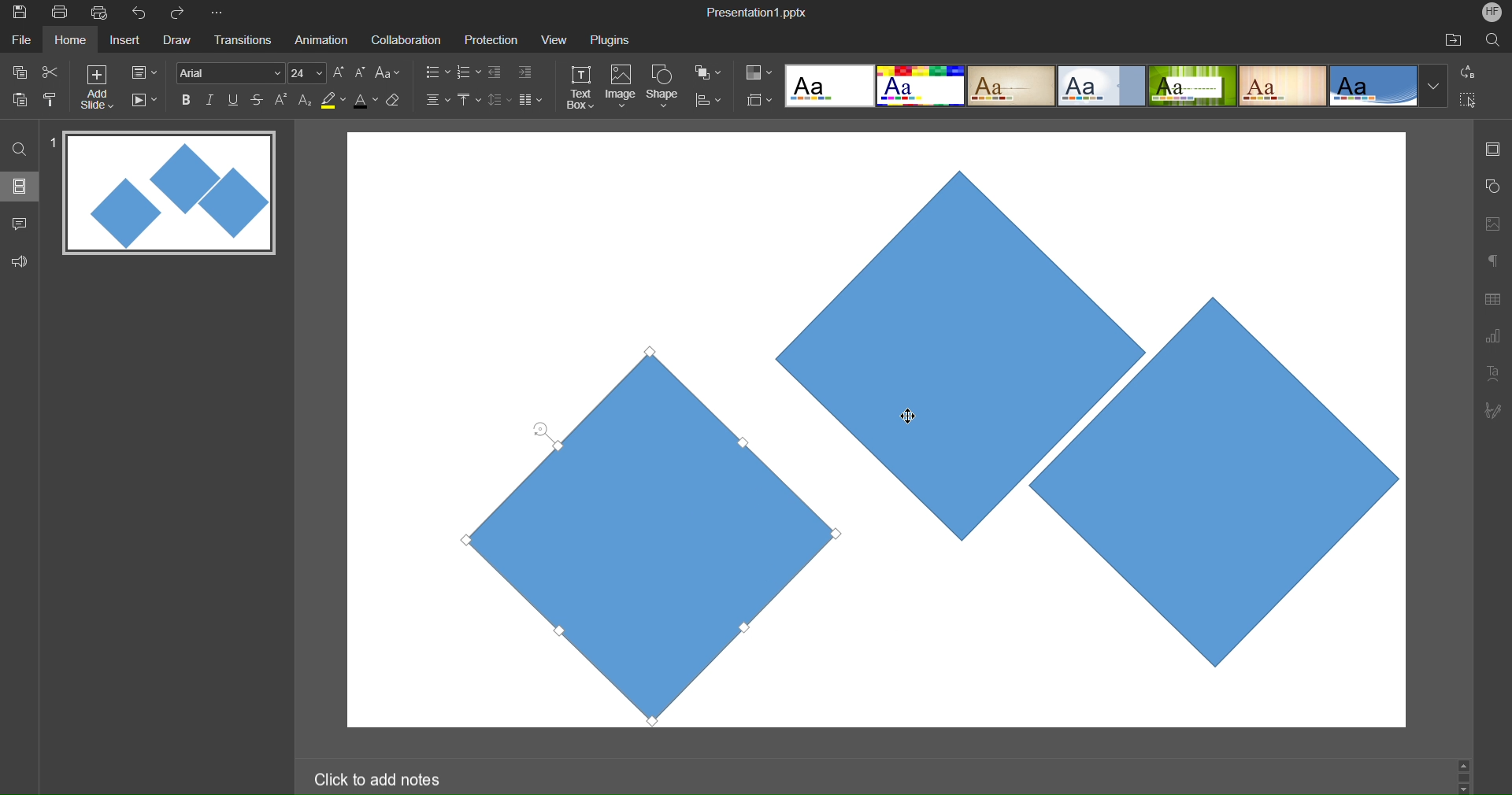 The width and height of the screenshot is (1512, 795). What do you see at coordinates (760, 99) in the screenshot?
I see `Slide Size Settings` at bounding box center [760, 99].